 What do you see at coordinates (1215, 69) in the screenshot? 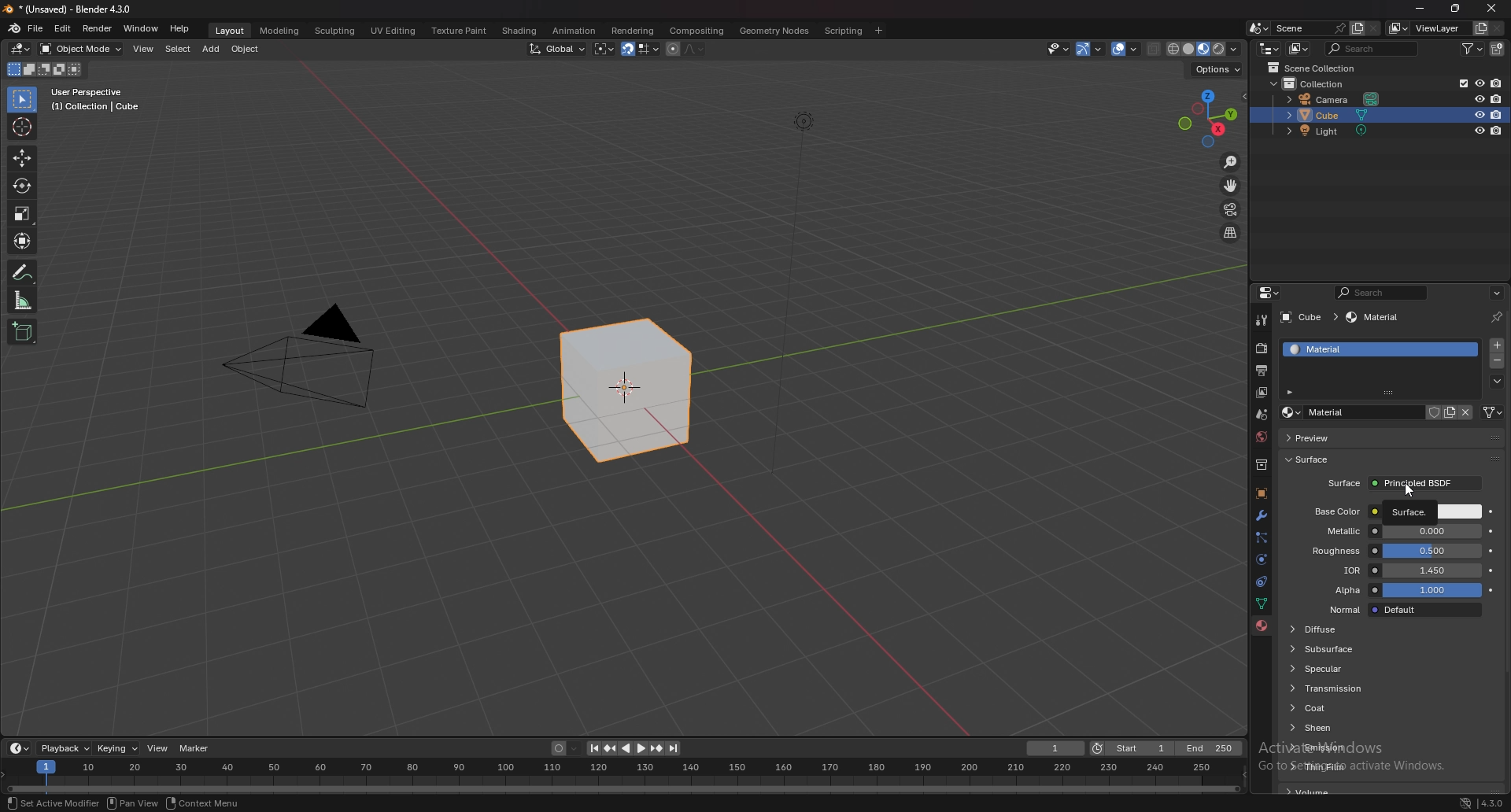
I see `options` at bounding box center [1215, 69].